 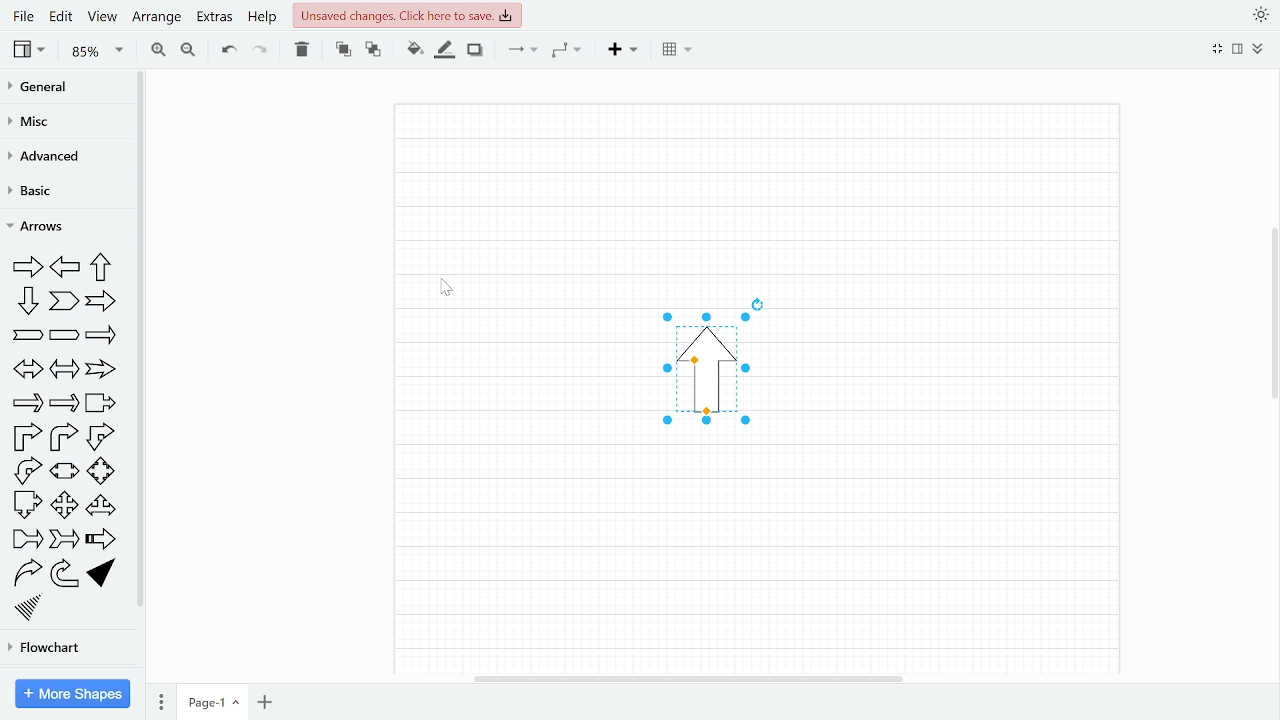 I want to click on TO front, so click(x=342, y=52).